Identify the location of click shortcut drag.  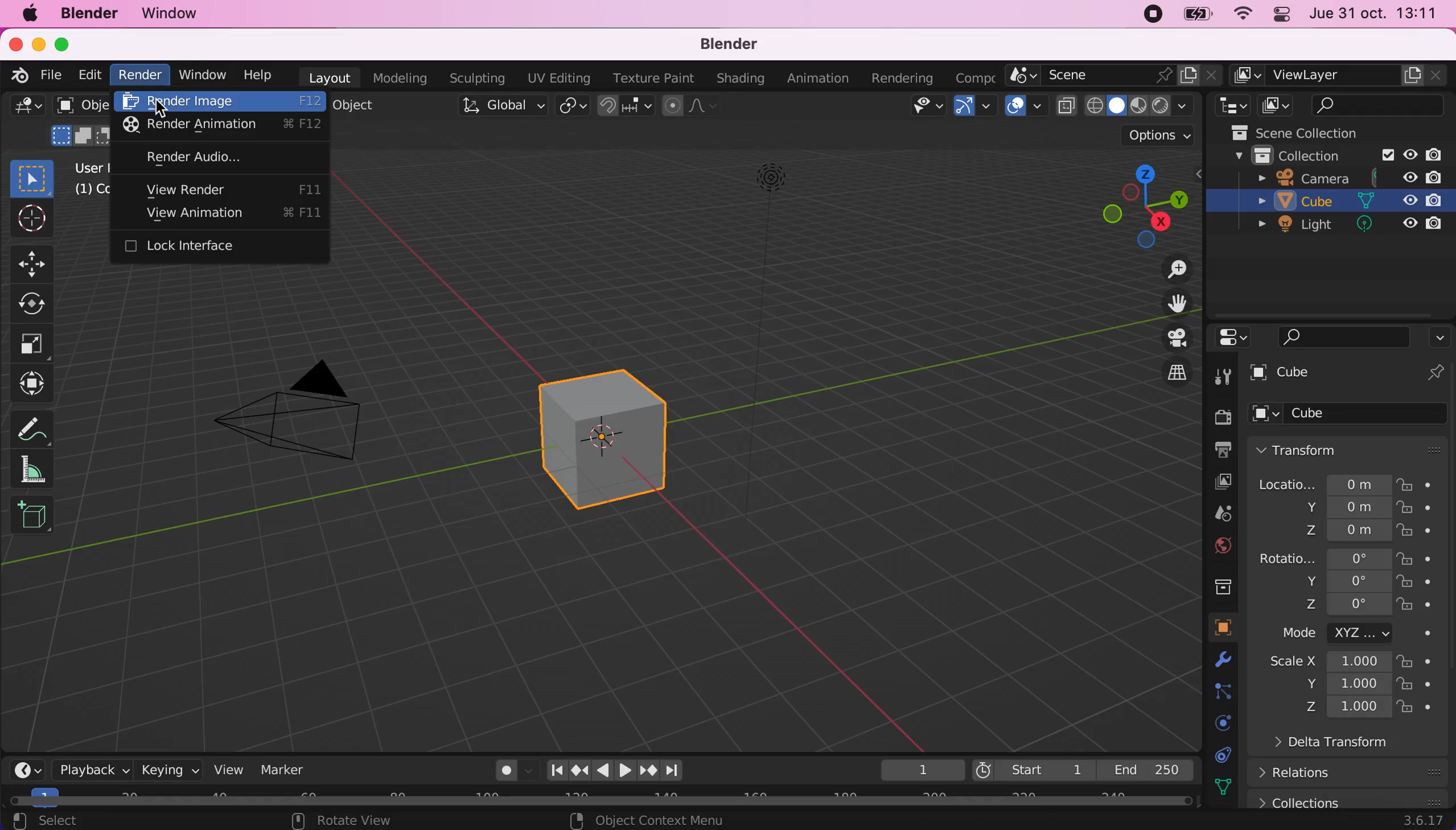
(1132, 206).